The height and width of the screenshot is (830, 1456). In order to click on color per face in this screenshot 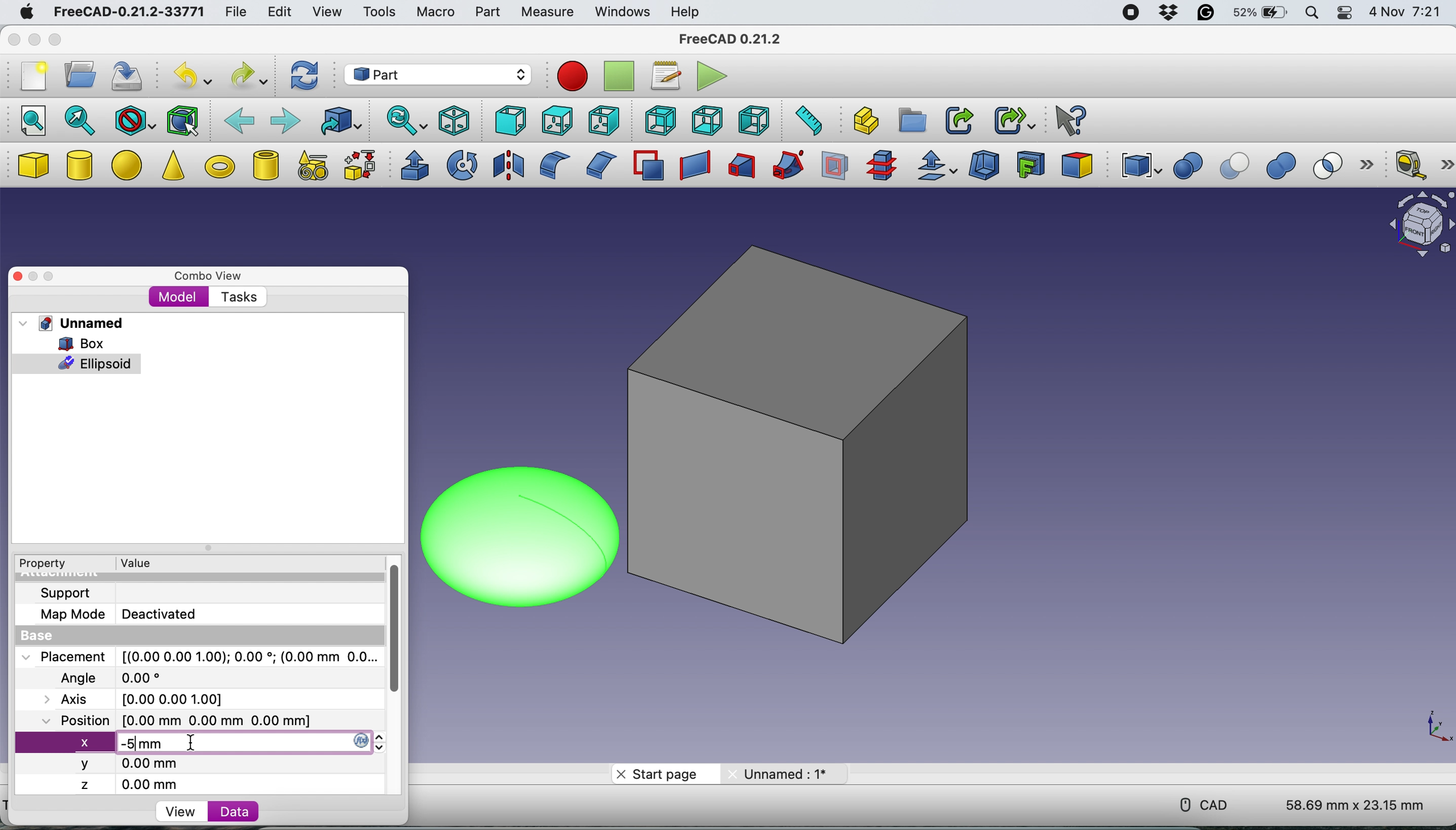, I will do `click(1078, 164)`.